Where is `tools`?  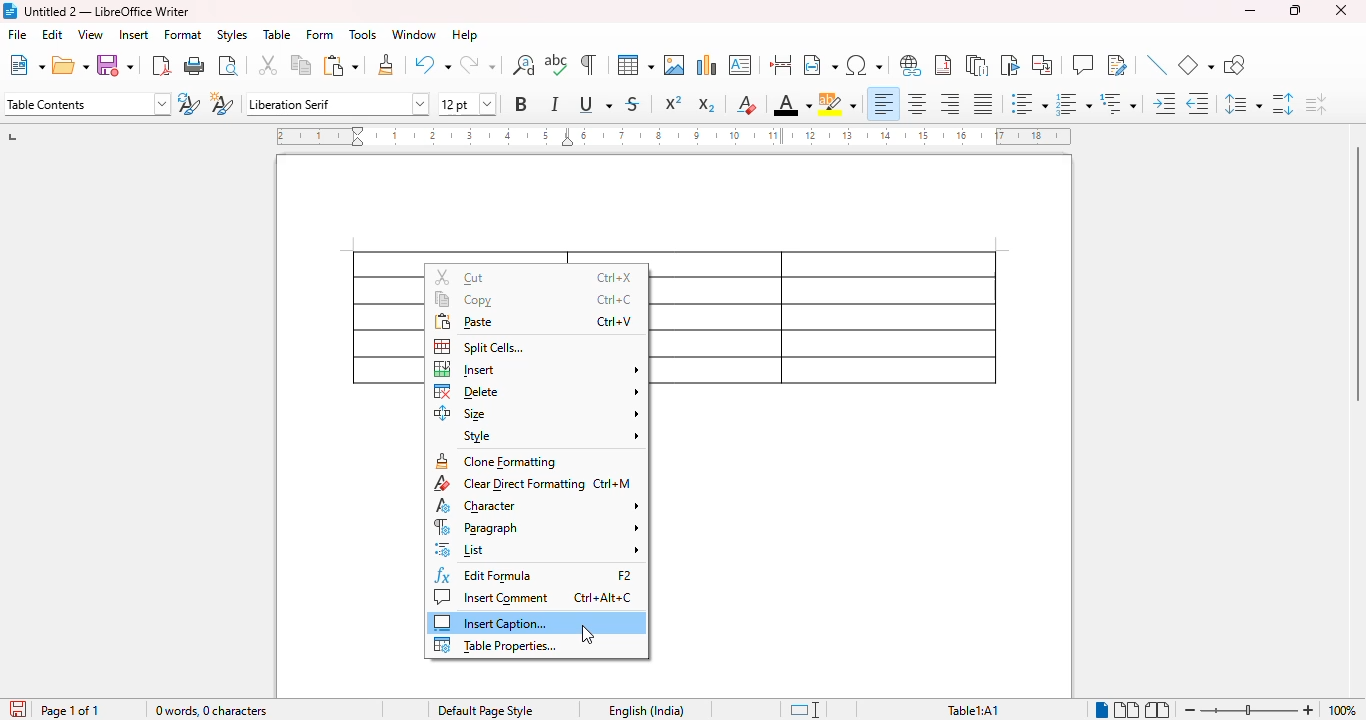 tools is located at coordinates (363, 34).